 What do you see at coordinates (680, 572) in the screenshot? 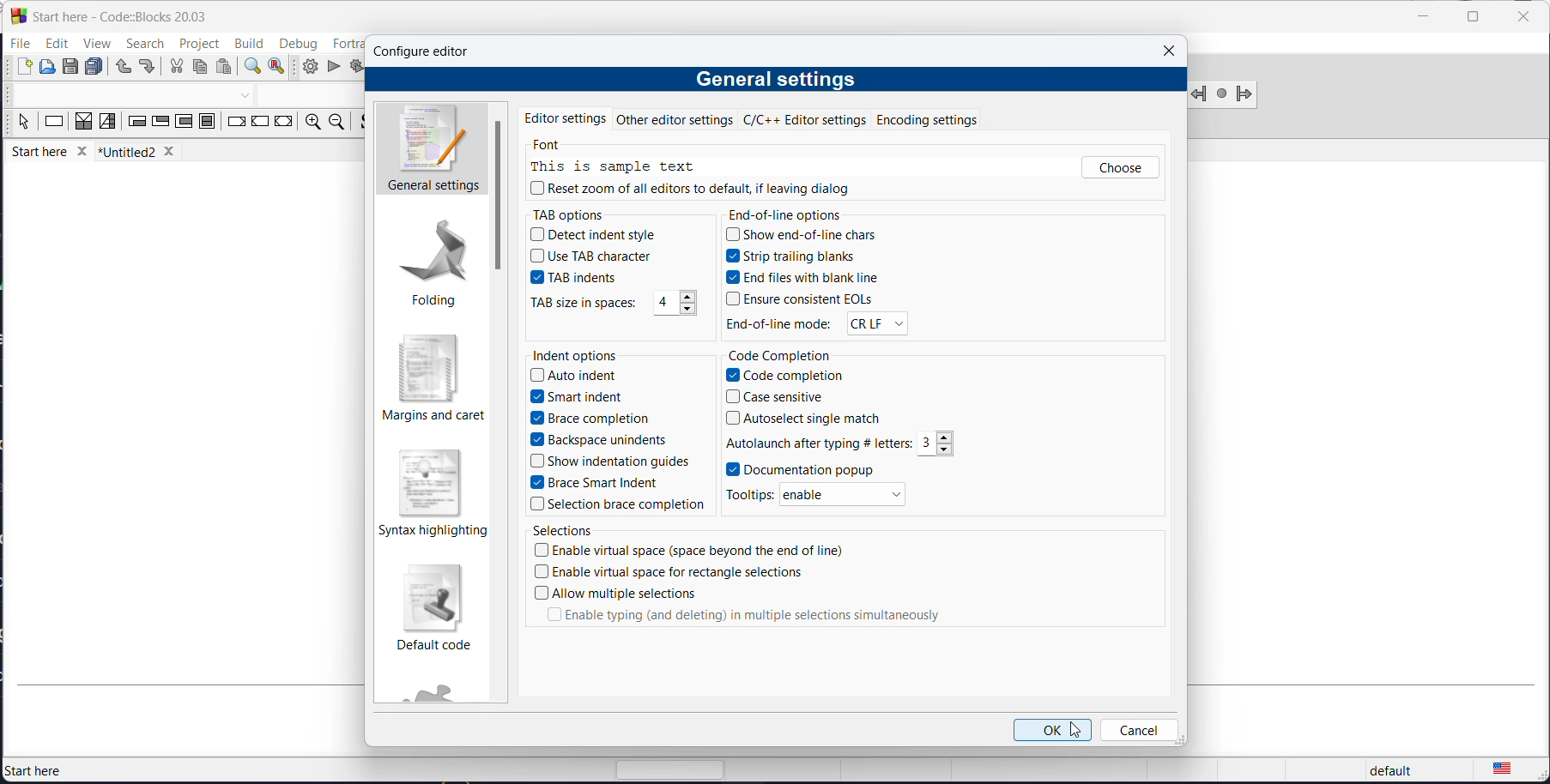
I see `enable virtual space for rectangle selection checkbox` at bounding box center [680, 572].